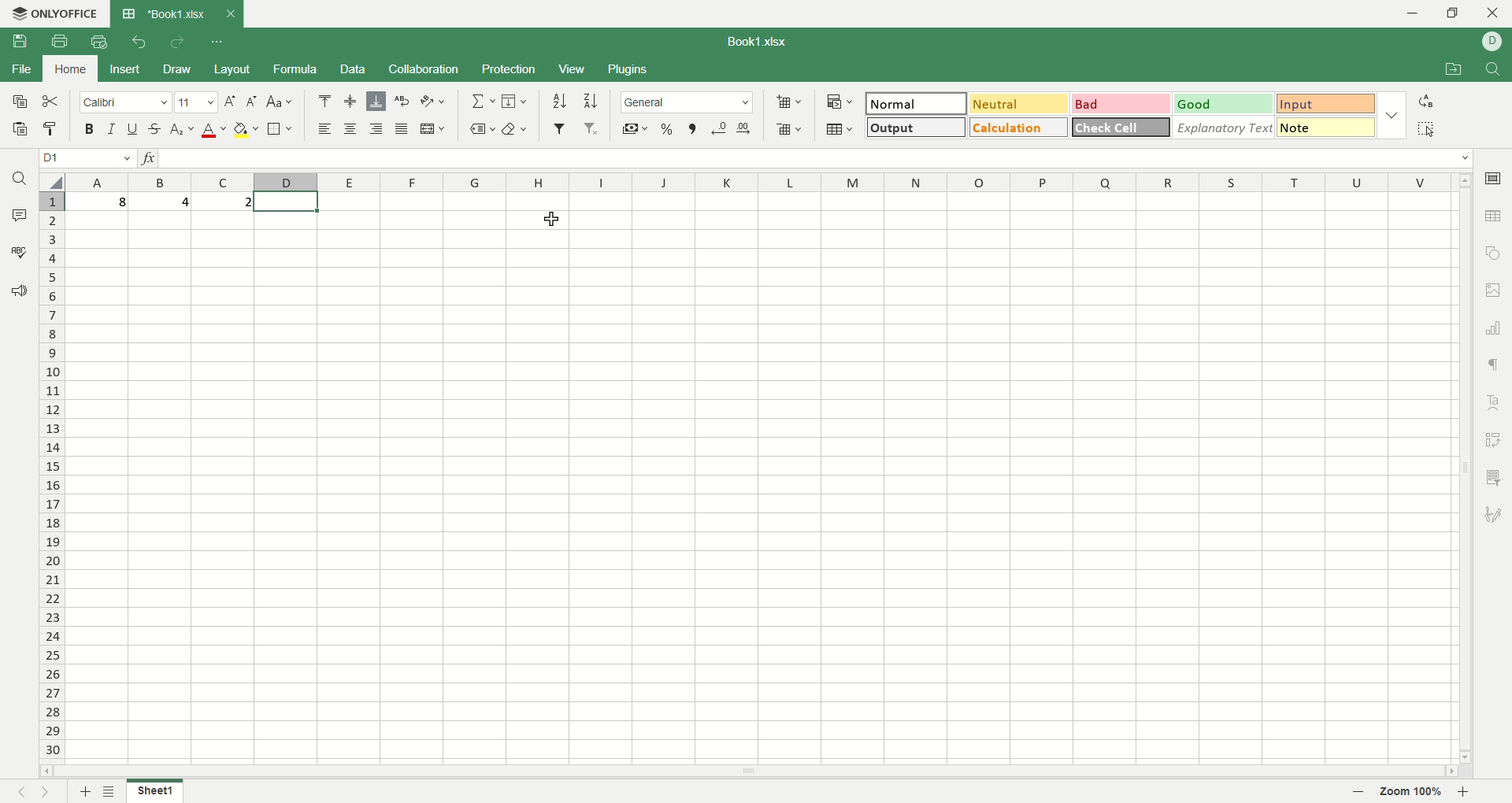 This screenshot has width=1512, height=803. What do you see at coordinates (51, 102) in the screenshot?
I see `cut` at bounding box center [51, 102].